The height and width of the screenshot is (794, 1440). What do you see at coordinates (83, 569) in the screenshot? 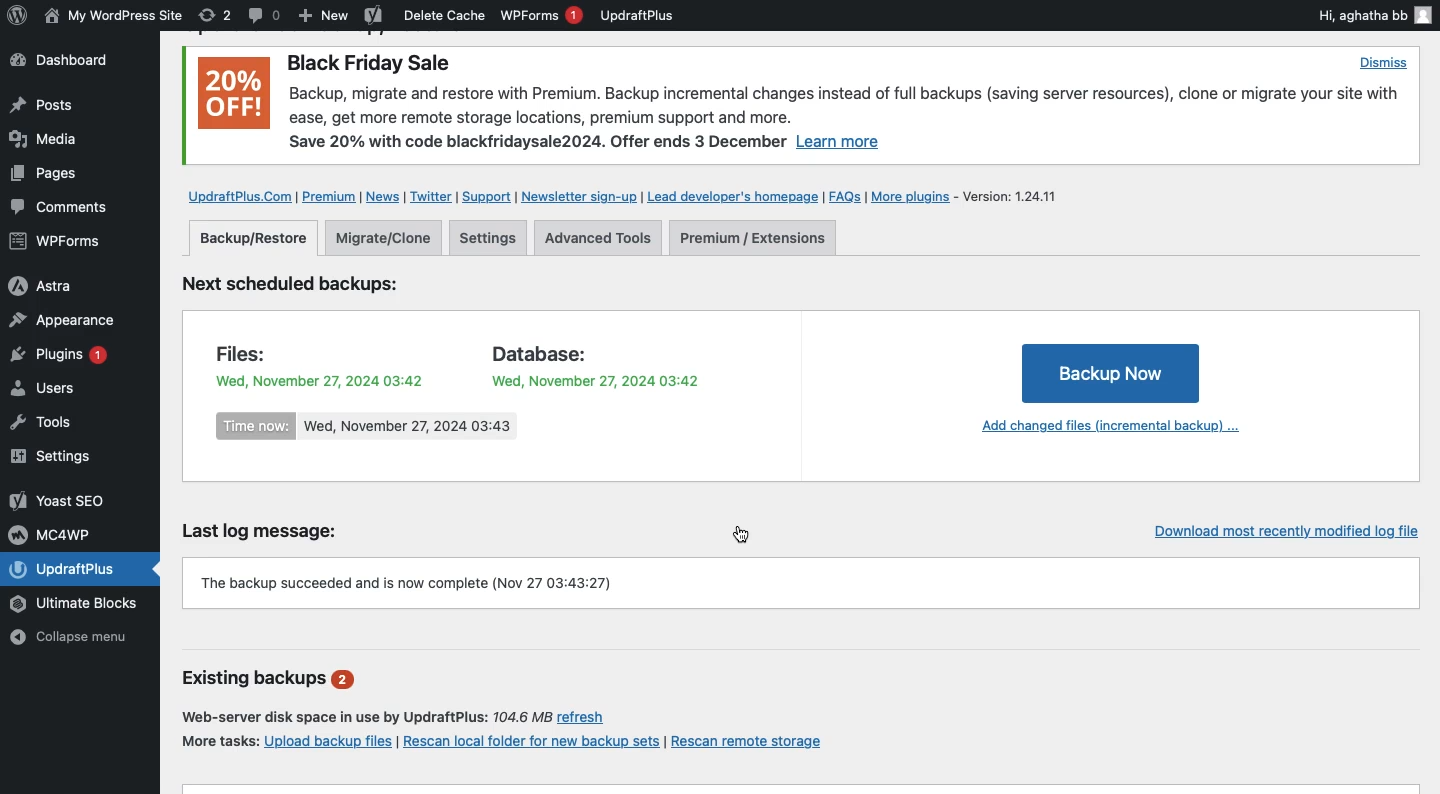
I see `UpdraftPlus` at bounding box center [83, 569].